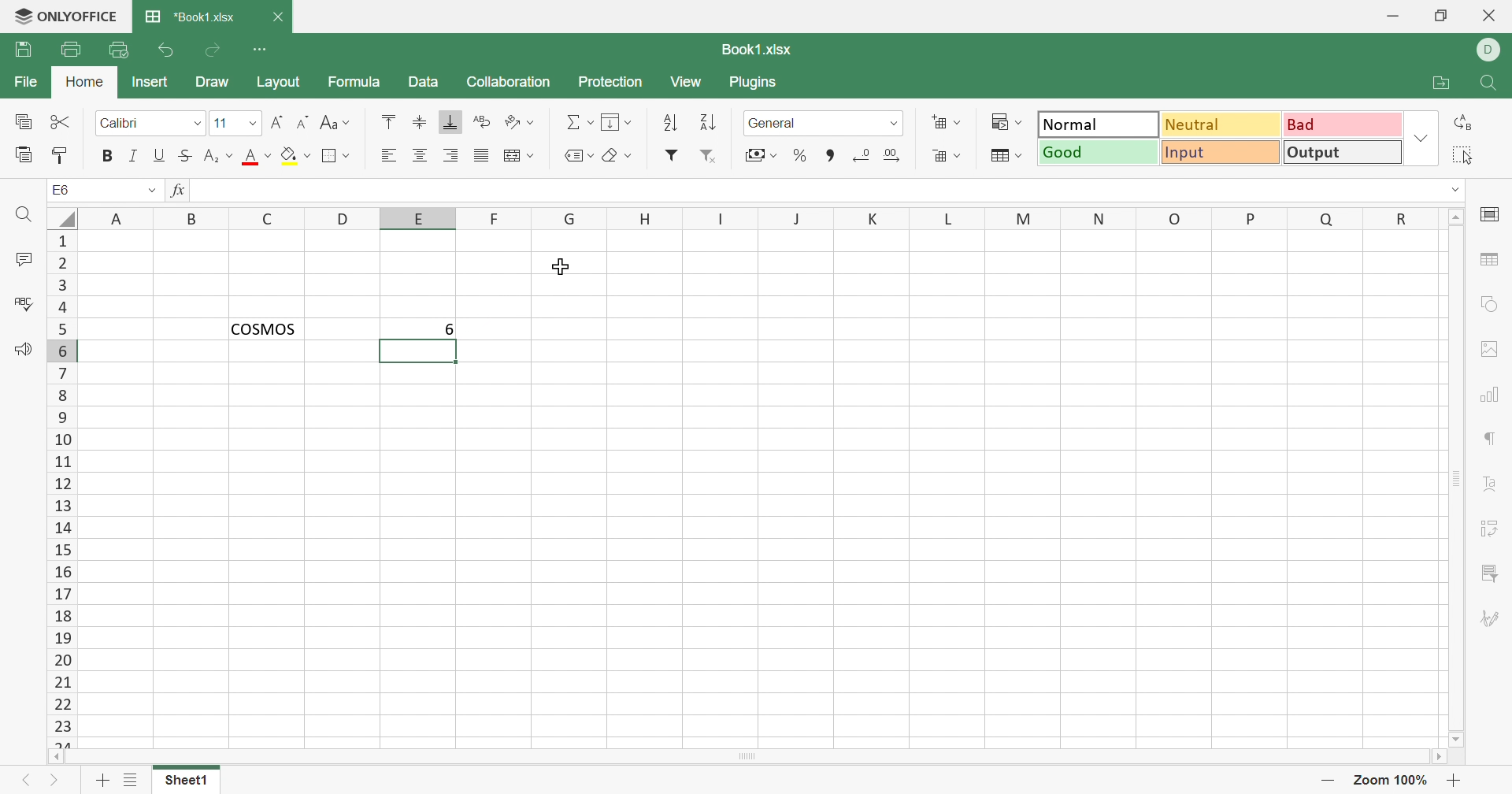  Describe the element at coordinates (187, 157) in the screenshot. I see `Strikethrough` at that location.